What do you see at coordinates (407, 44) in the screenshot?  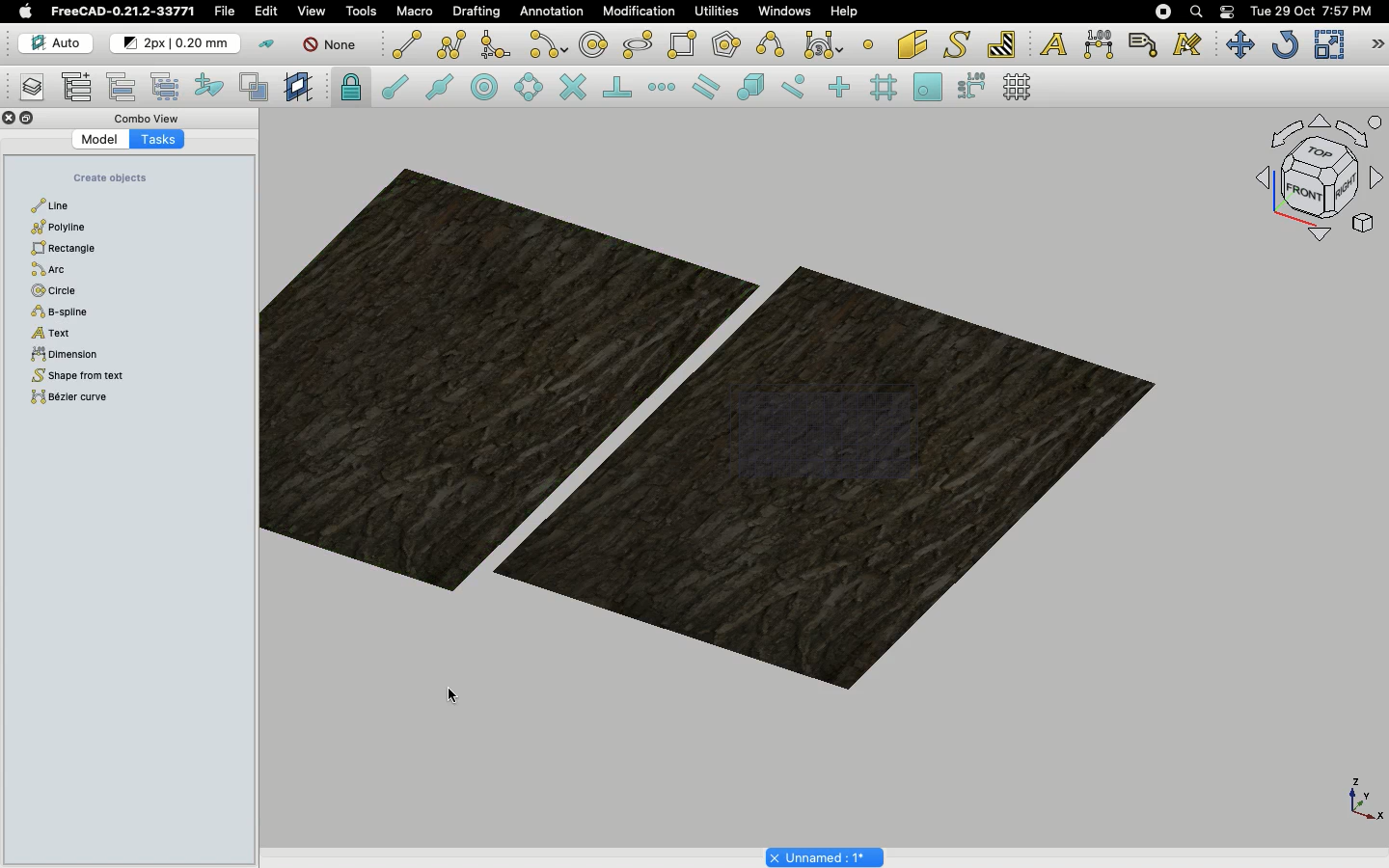 I see `Line` at bounding box center [407, 44].